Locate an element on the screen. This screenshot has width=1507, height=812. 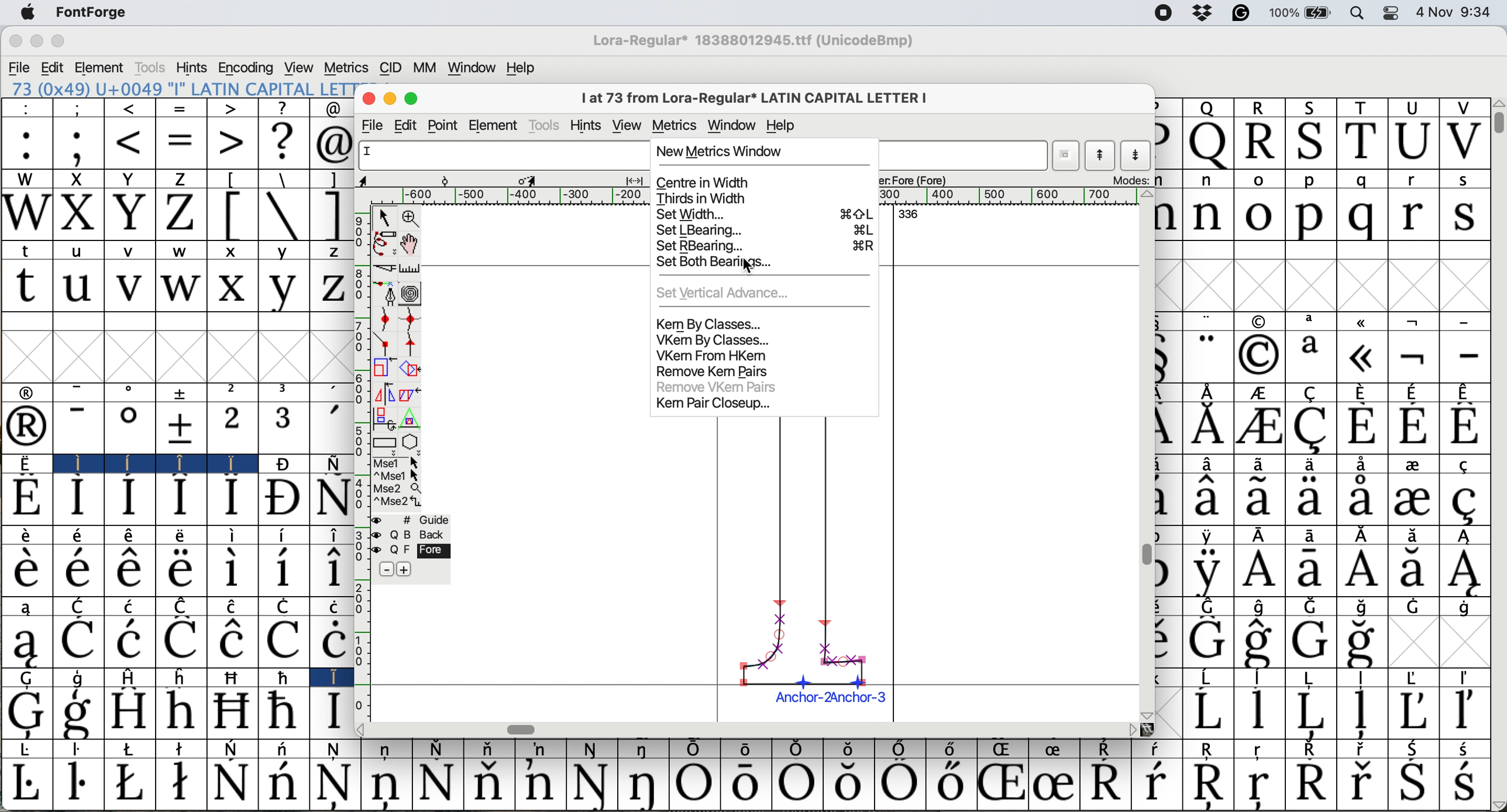
Y is located at coordinates (129, 215).